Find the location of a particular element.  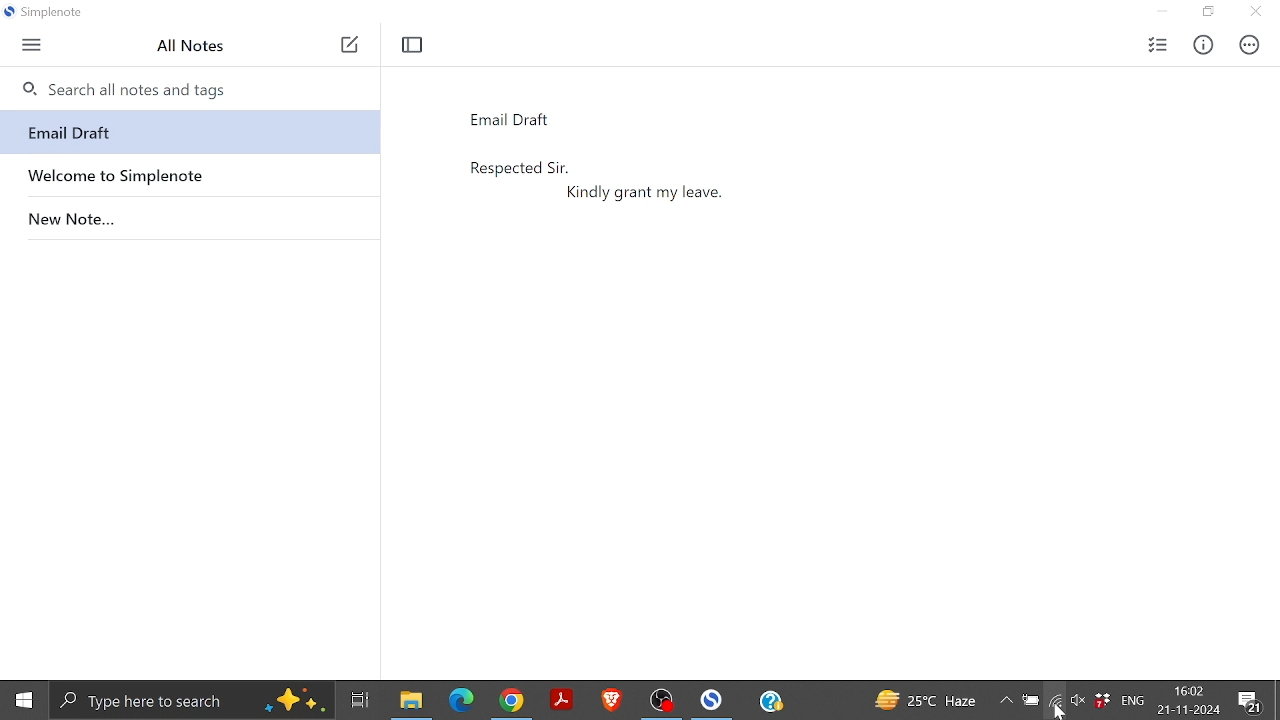

Info is located at coordinates (1202, 46).